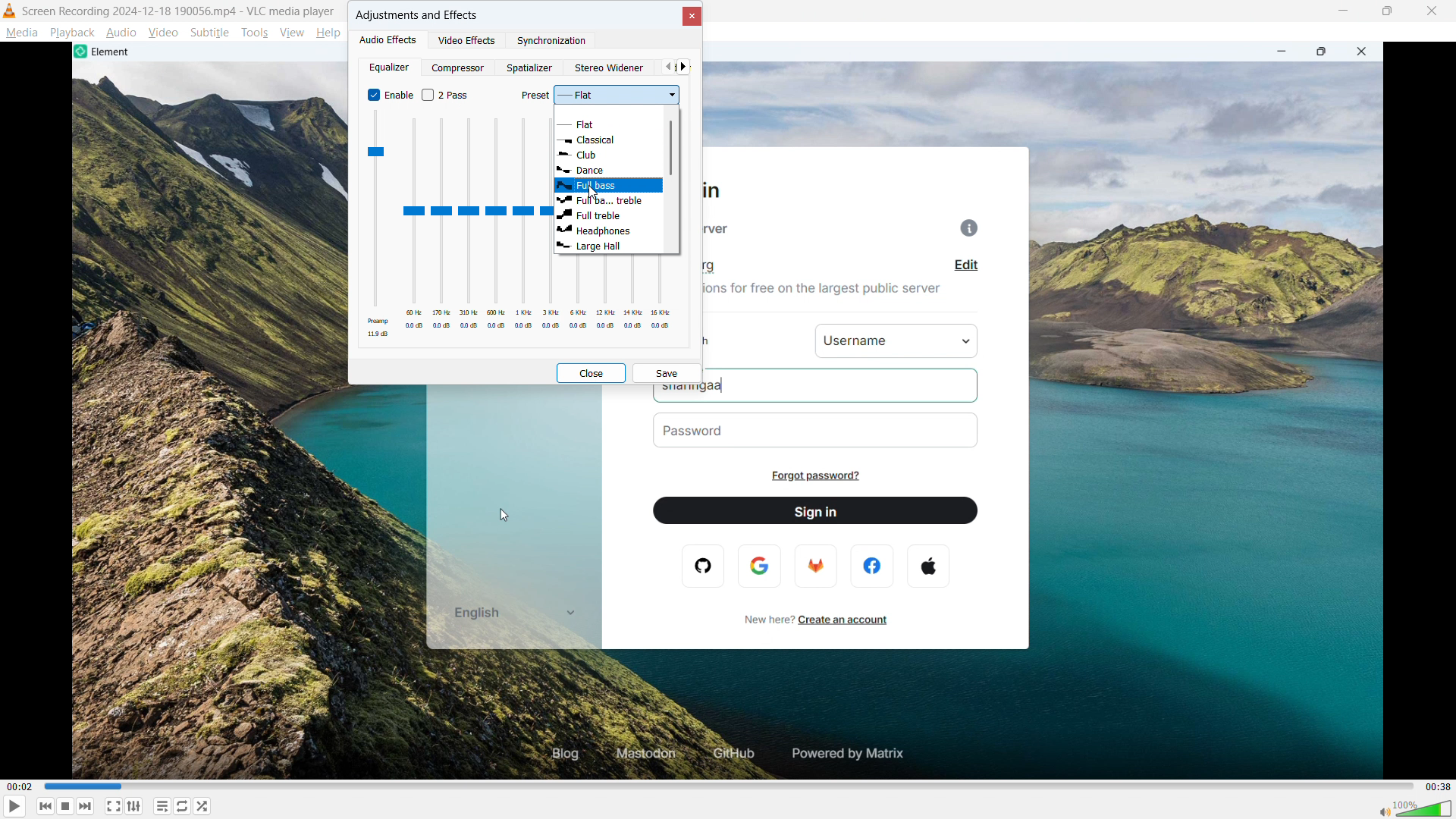 The image size is (1456, 819). I want to click on Stereo widener , so click(610, 67).